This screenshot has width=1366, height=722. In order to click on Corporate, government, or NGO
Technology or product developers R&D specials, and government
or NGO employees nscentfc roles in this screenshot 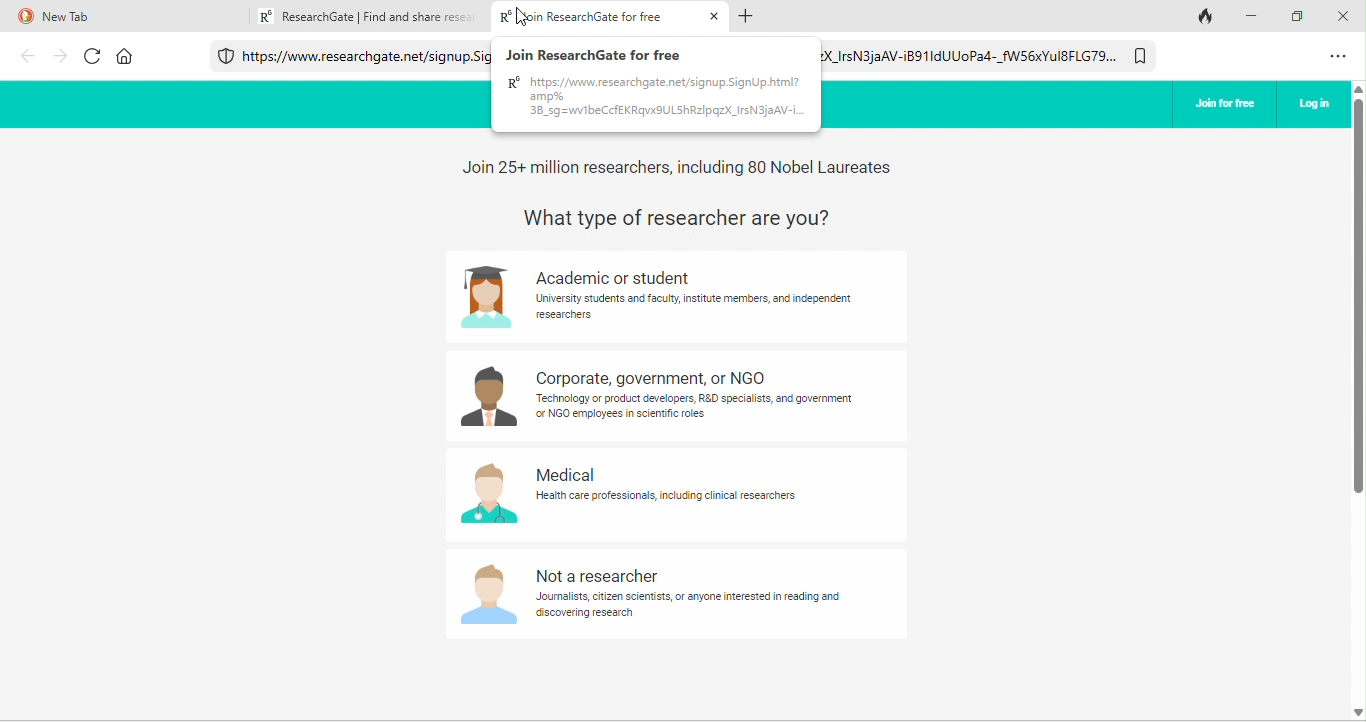, I will do `click(692, 397)`.